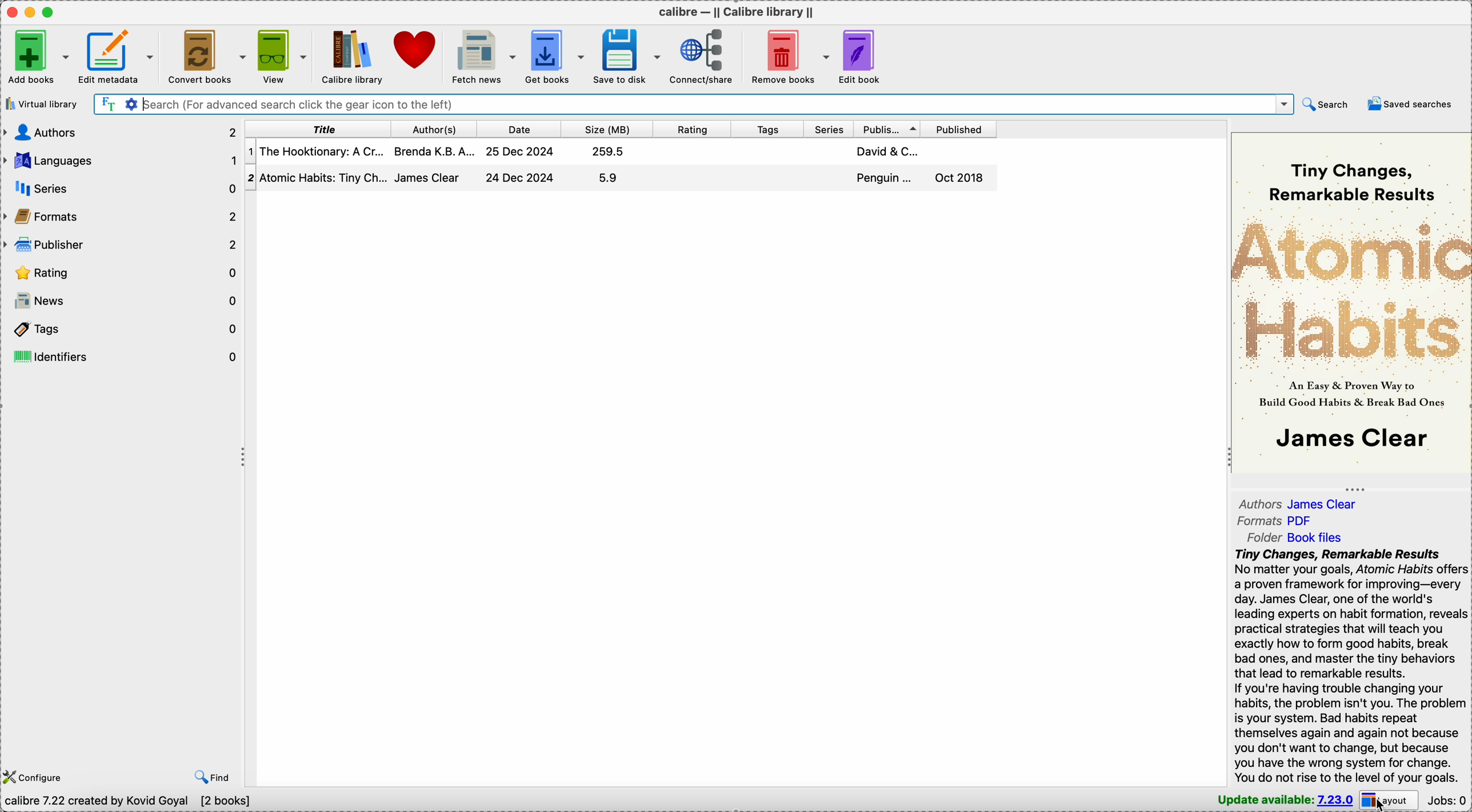  I want to click on get books, so click(556, 57).